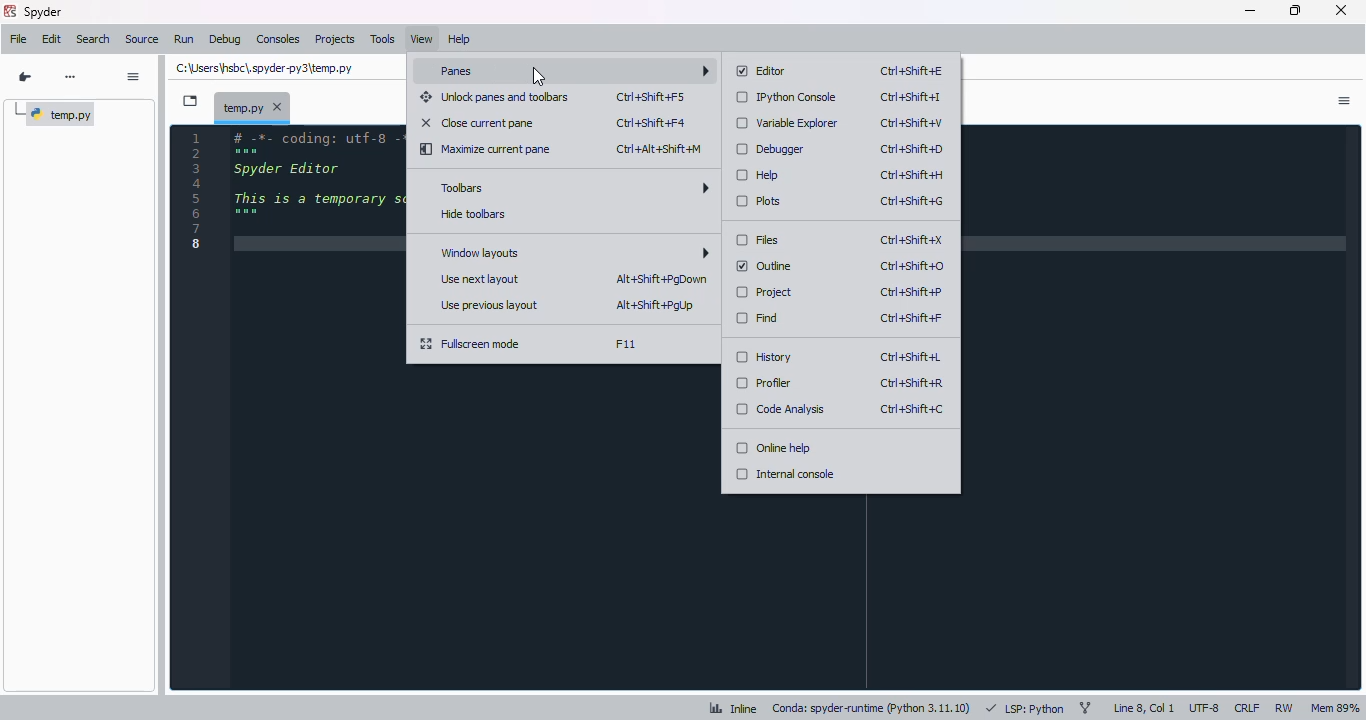  I want to click on debug, so click(226, 40).